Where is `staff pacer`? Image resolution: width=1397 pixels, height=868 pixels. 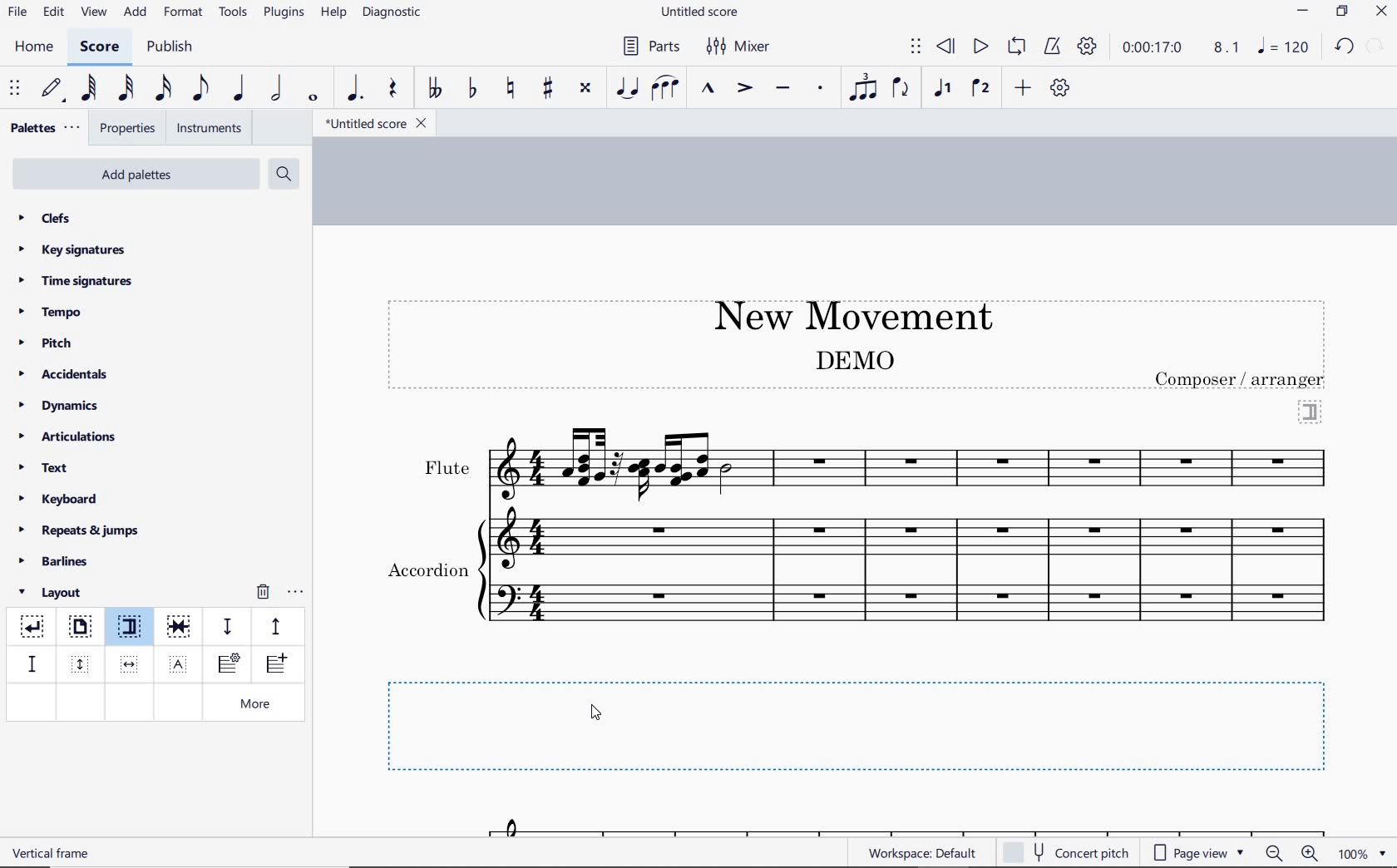 staff pacer is located at coordinates (274, 625).